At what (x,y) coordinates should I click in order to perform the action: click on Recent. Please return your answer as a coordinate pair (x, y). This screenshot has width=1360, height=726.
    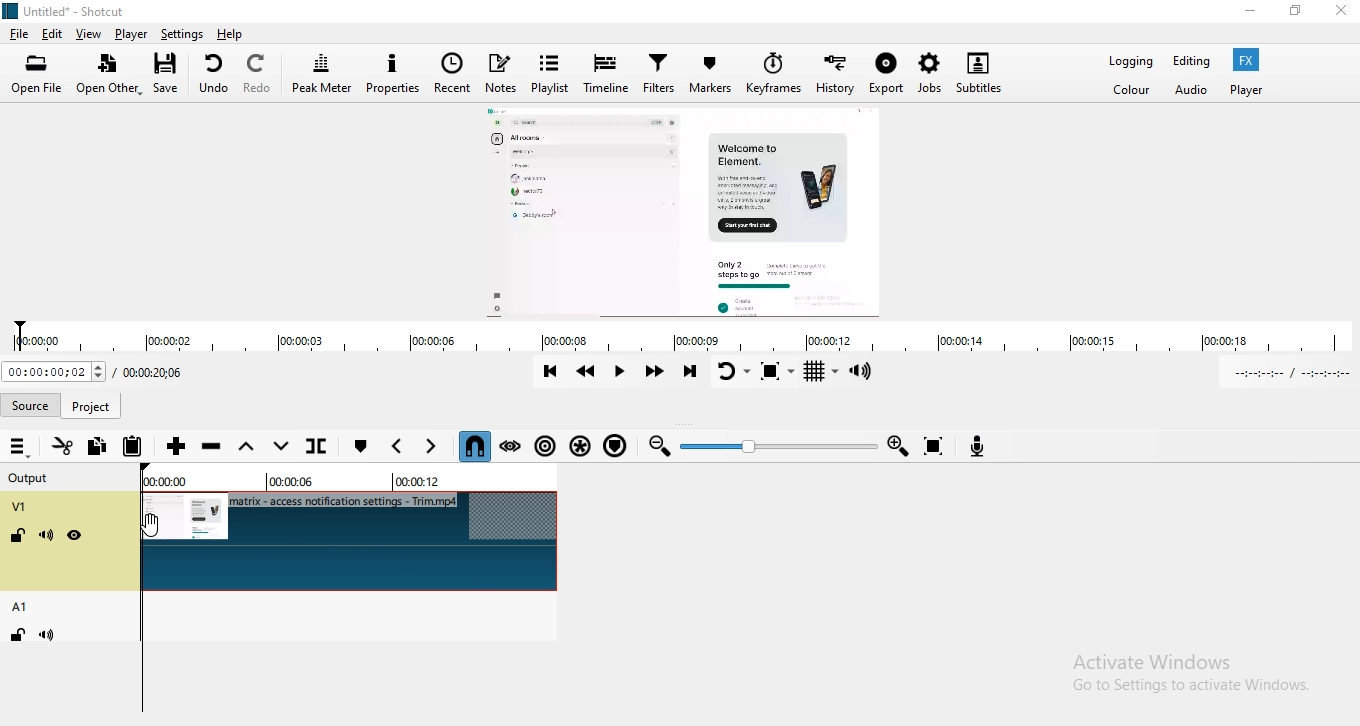
    Looking at the image, I should click on (455, 74).